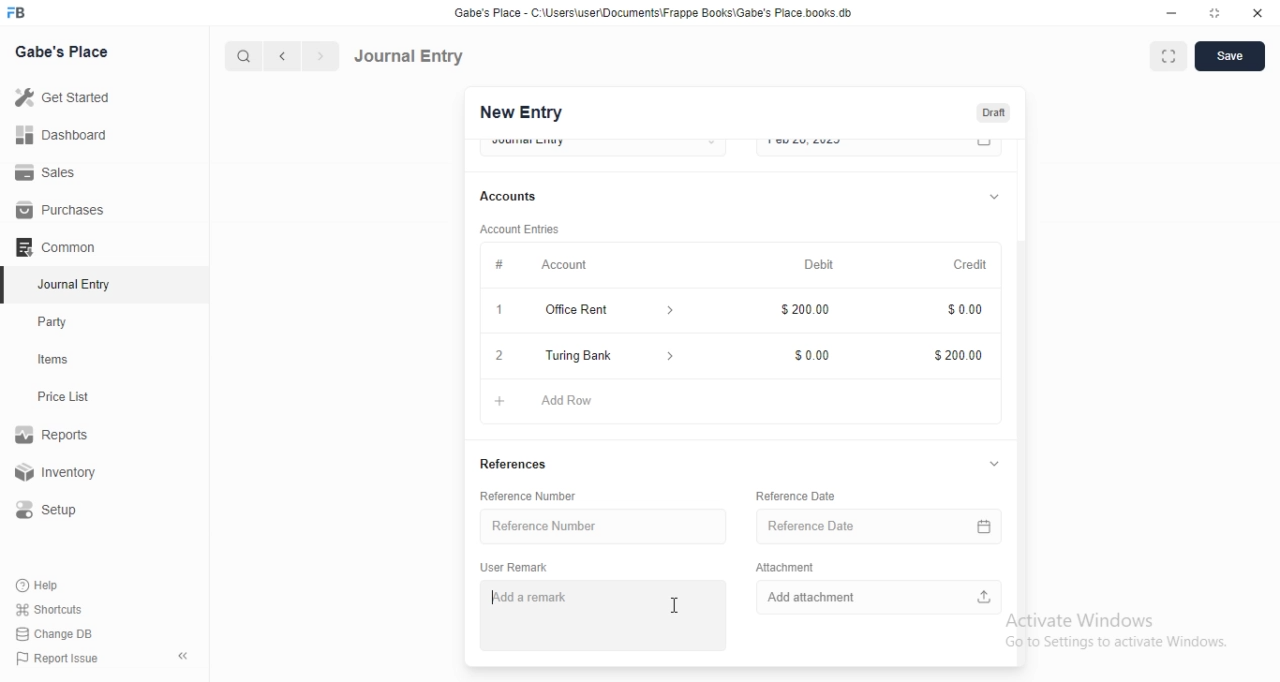 This screenshot has height=682, width=1280. What do you see at coordinates (54, 510) in the screenshot?
I see `Setup` at bounding box center [54, 510].